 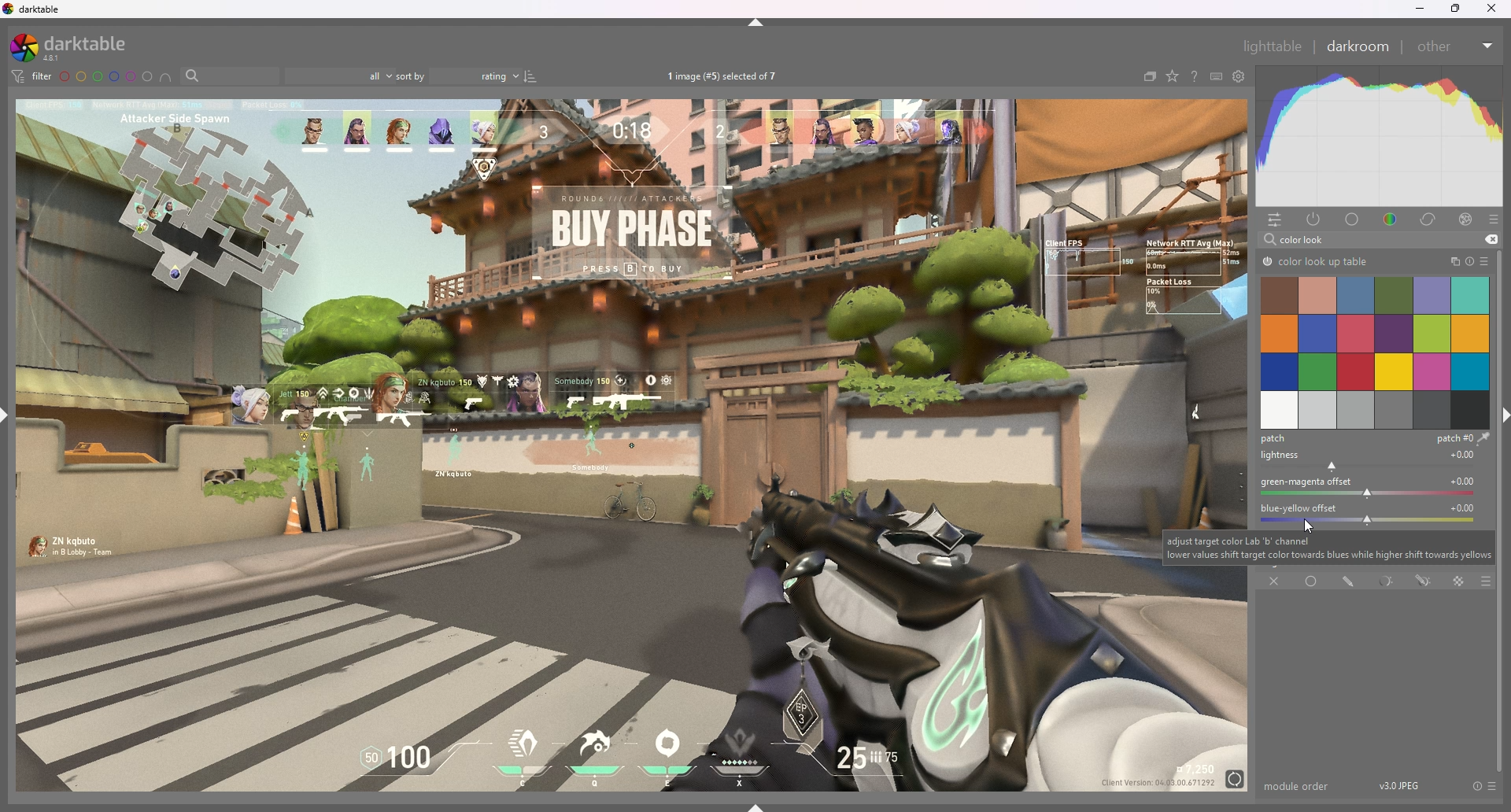 What do you see at coordinates (582, 446) in the screenshot?
I see `image` at bounding box center [582, 446].